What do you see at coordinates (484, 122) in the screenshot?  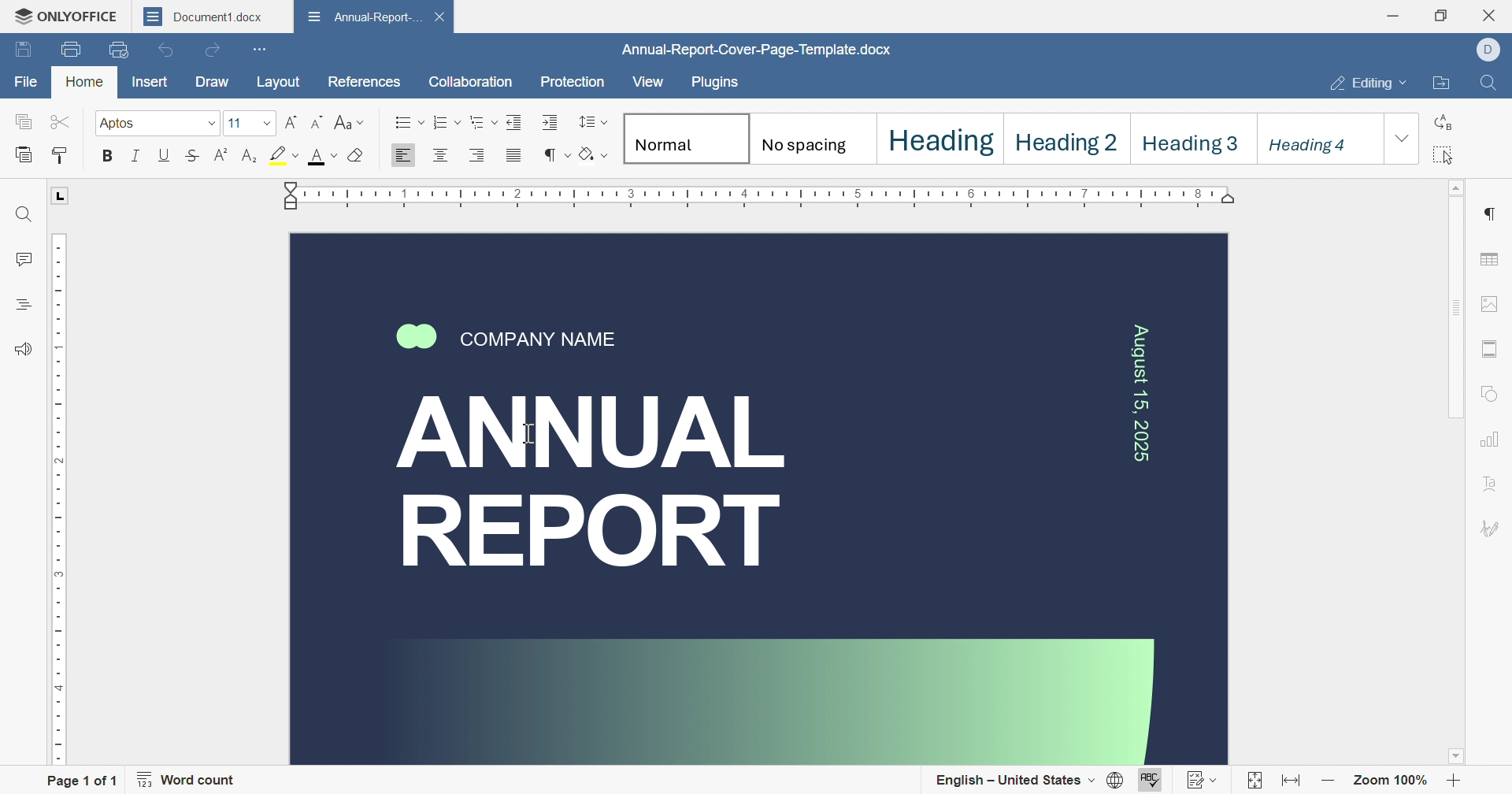 I see `multilevel list` at bounding box center [484, 122].